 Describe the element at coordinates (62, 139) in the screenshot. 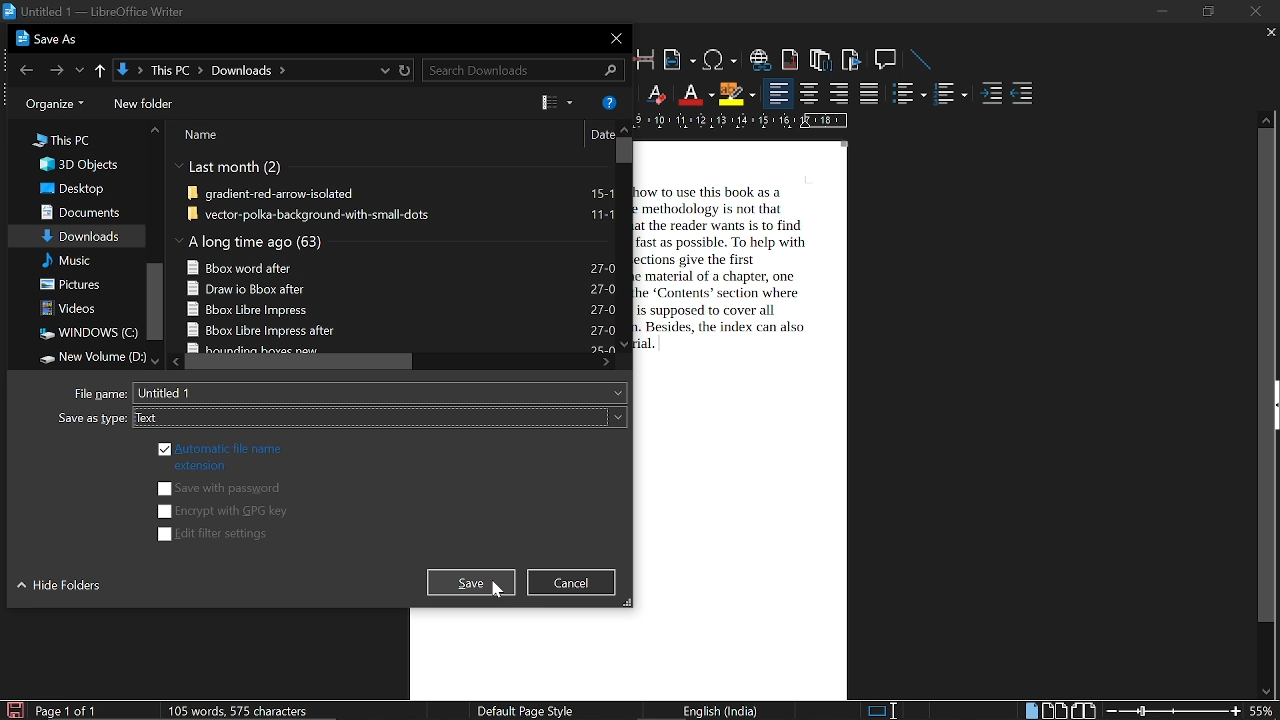

I see `This PC` at that location.